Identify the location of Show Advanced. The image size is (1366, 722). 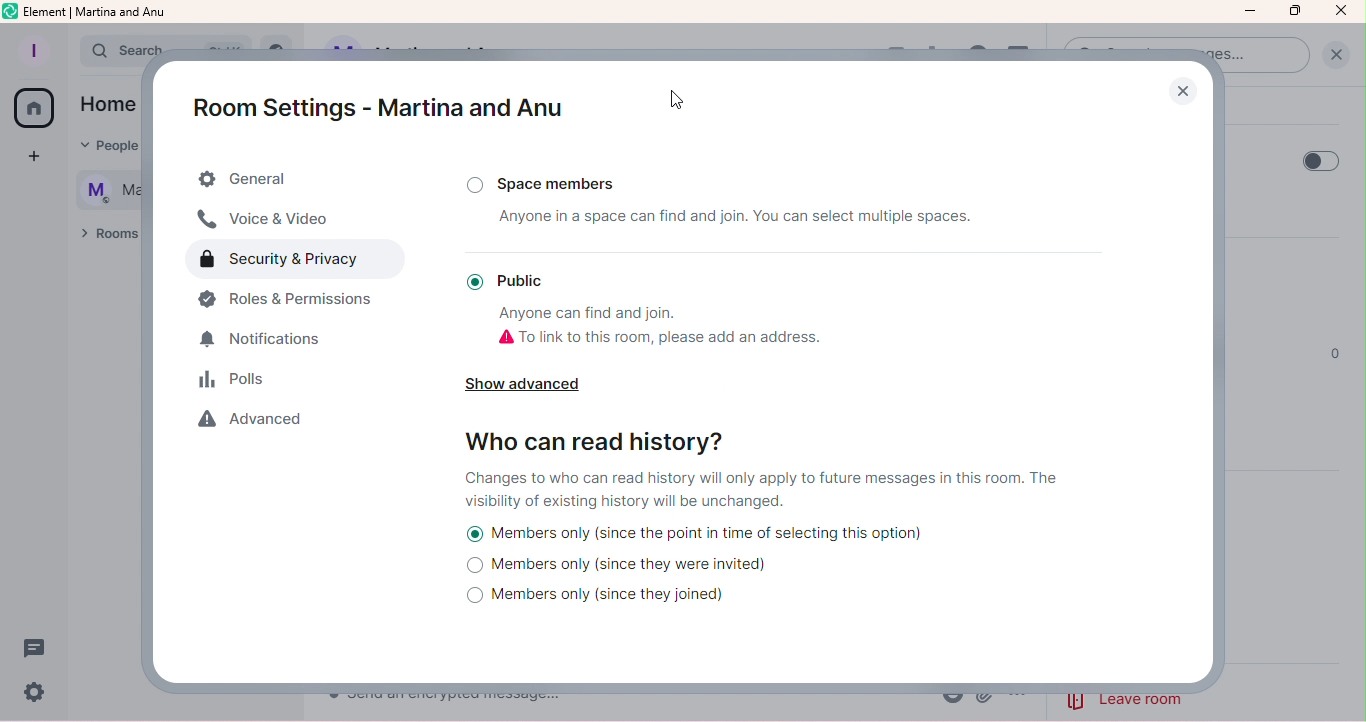
(532, 384).